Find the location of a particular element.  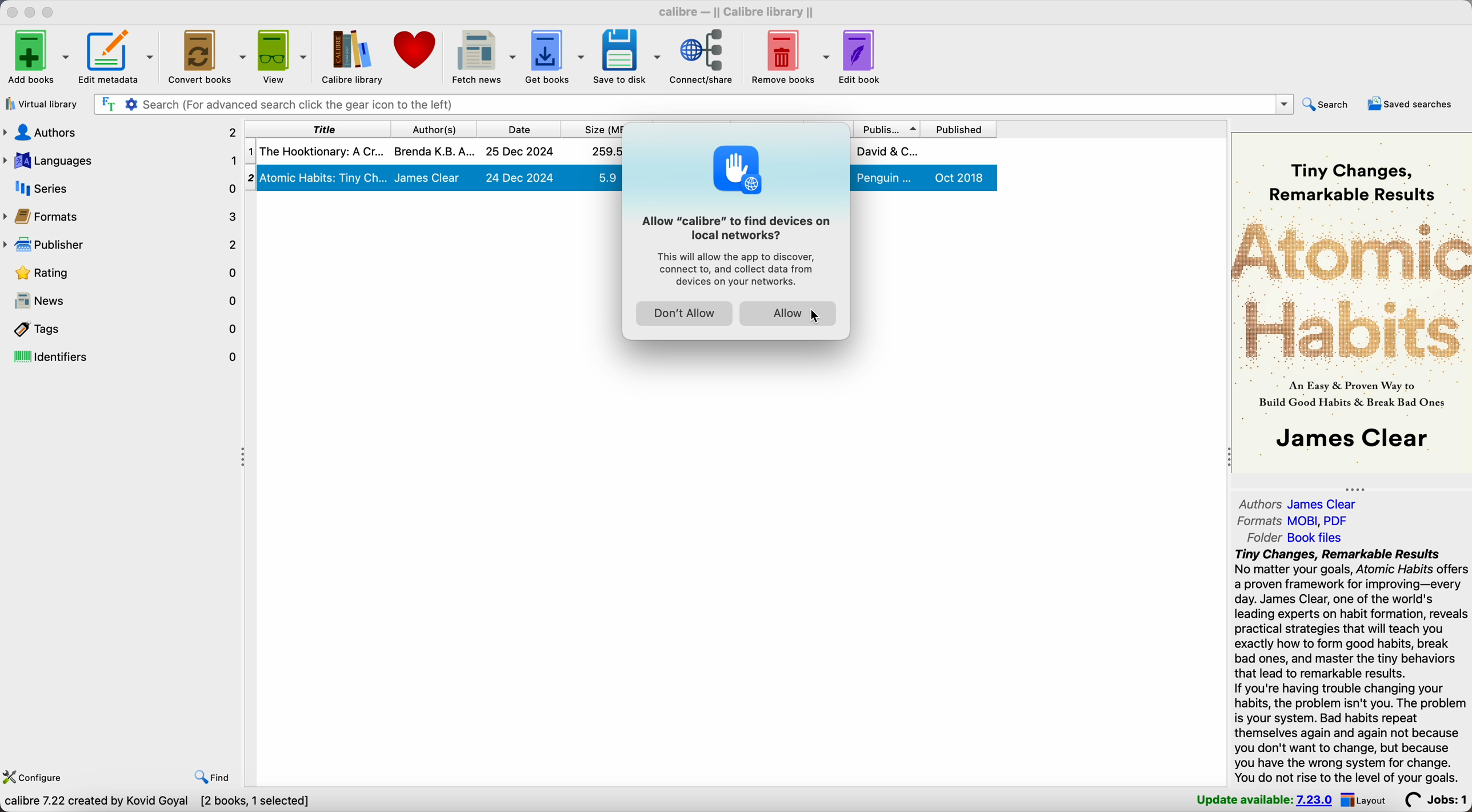

configure is located at coordinates (37, 776).